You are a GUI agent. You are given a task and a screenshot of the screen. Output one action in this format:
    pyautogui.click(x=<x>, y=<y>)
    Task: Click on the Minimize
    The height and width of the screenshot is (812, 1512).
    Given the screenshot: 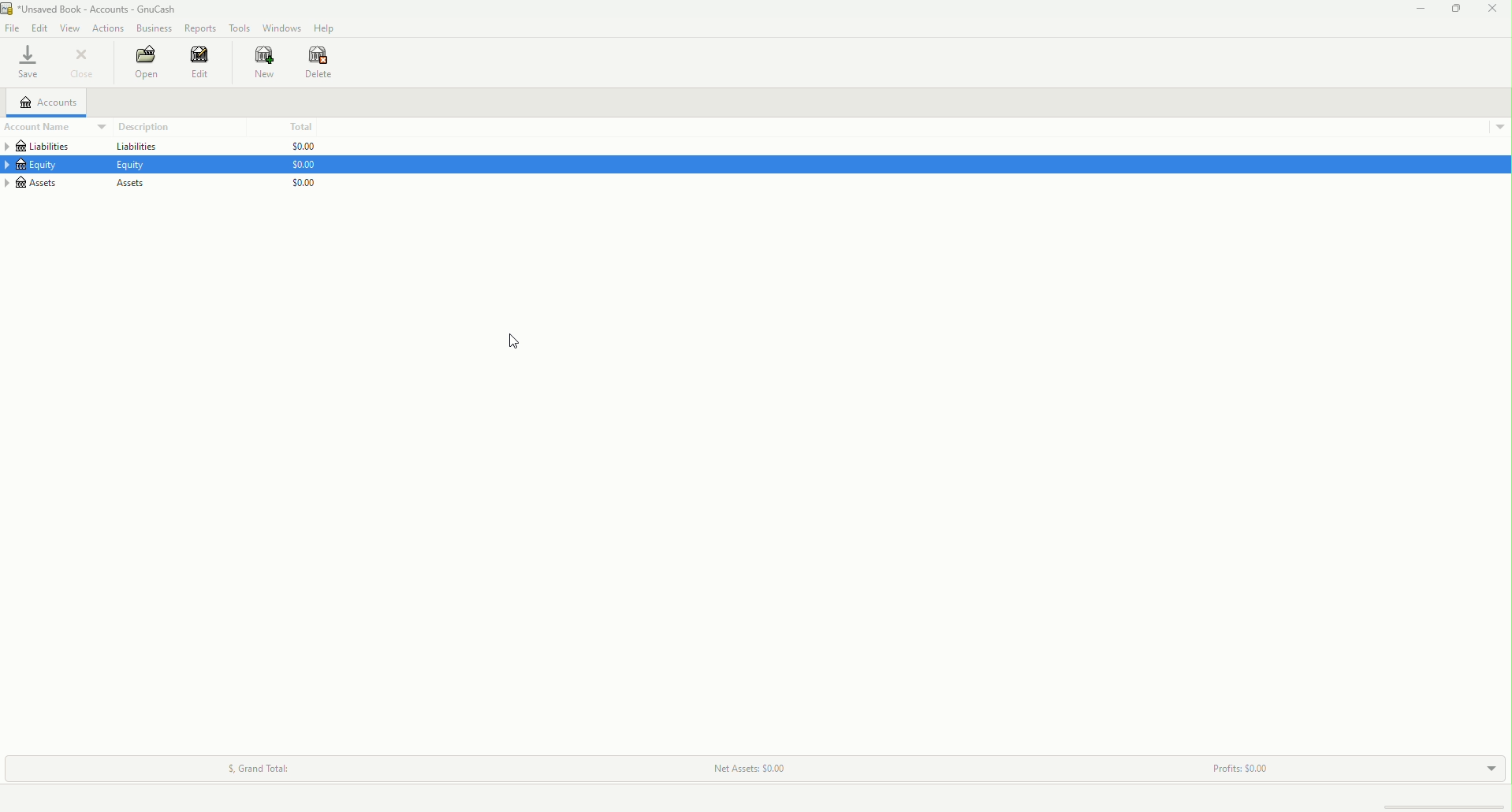 What is the action you would take?
    pyautogui.click(x=1417, y=9)
    